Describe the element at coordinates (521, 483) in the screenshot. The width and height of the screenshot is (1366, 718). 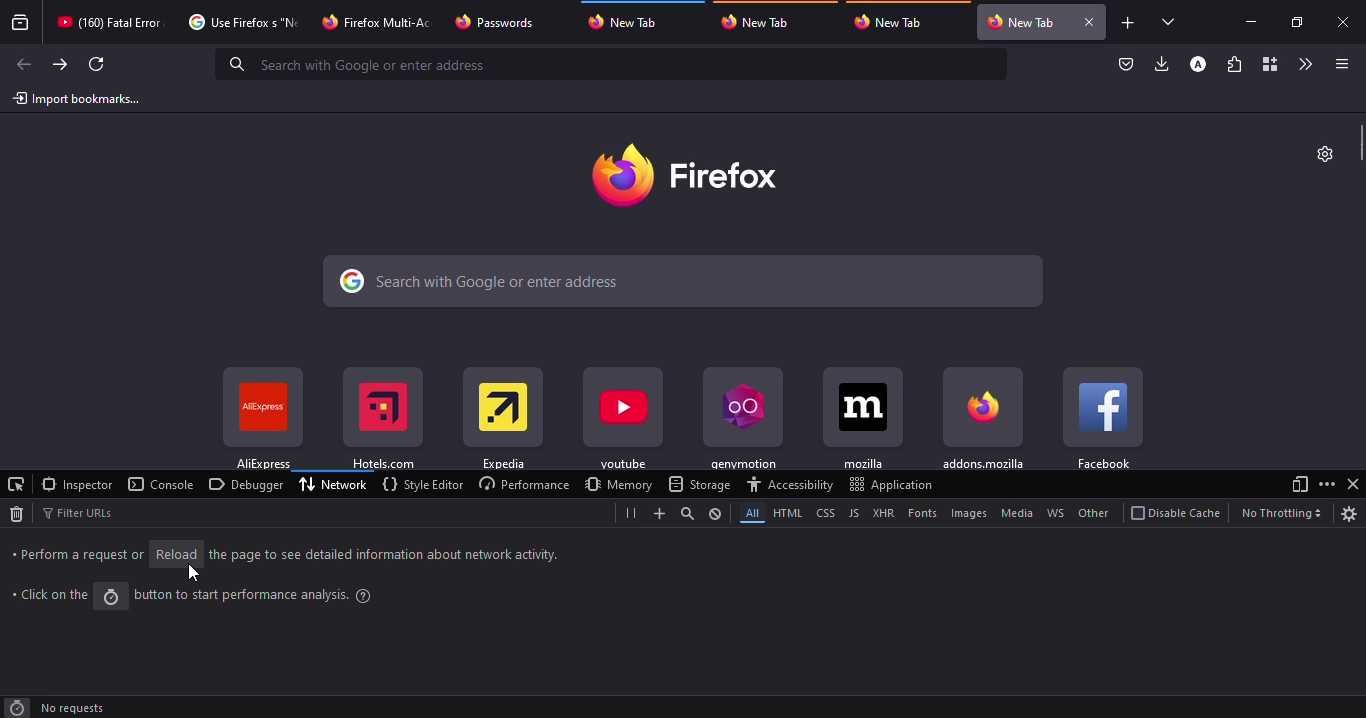
I see `performance` at that location.